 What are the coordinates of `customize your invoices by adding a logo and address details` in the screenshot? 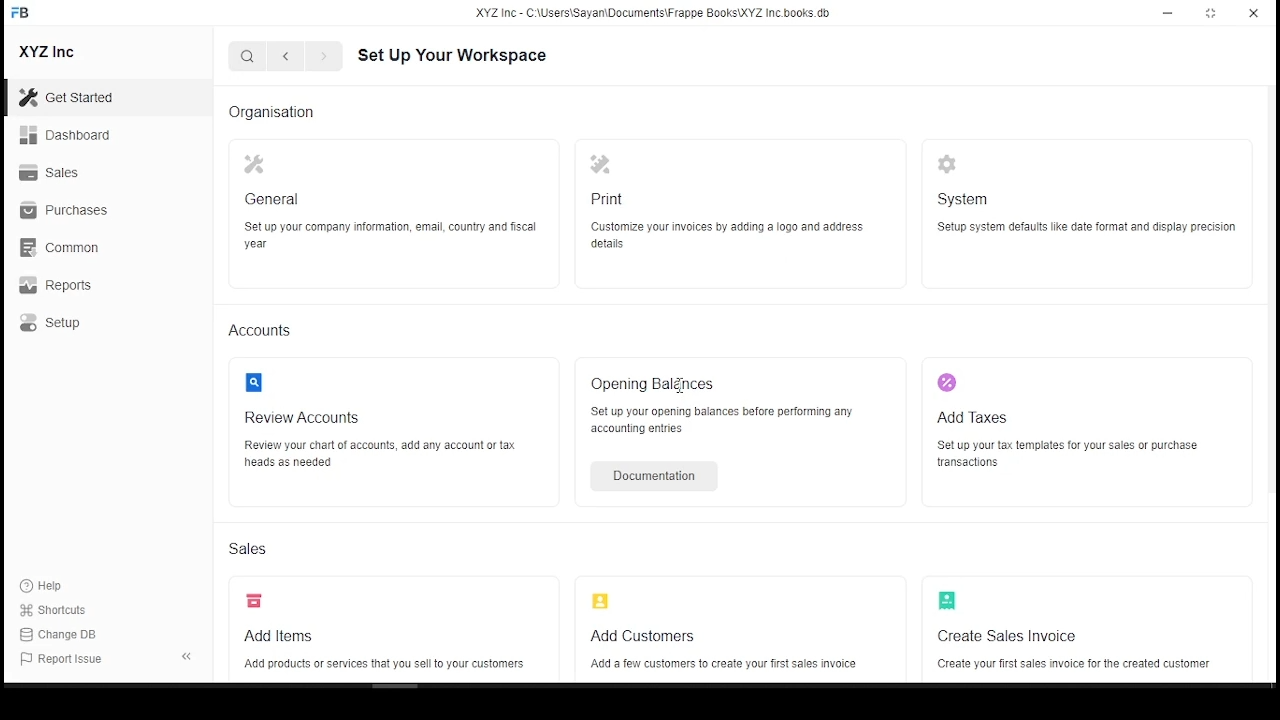 It's located at (728, 236).